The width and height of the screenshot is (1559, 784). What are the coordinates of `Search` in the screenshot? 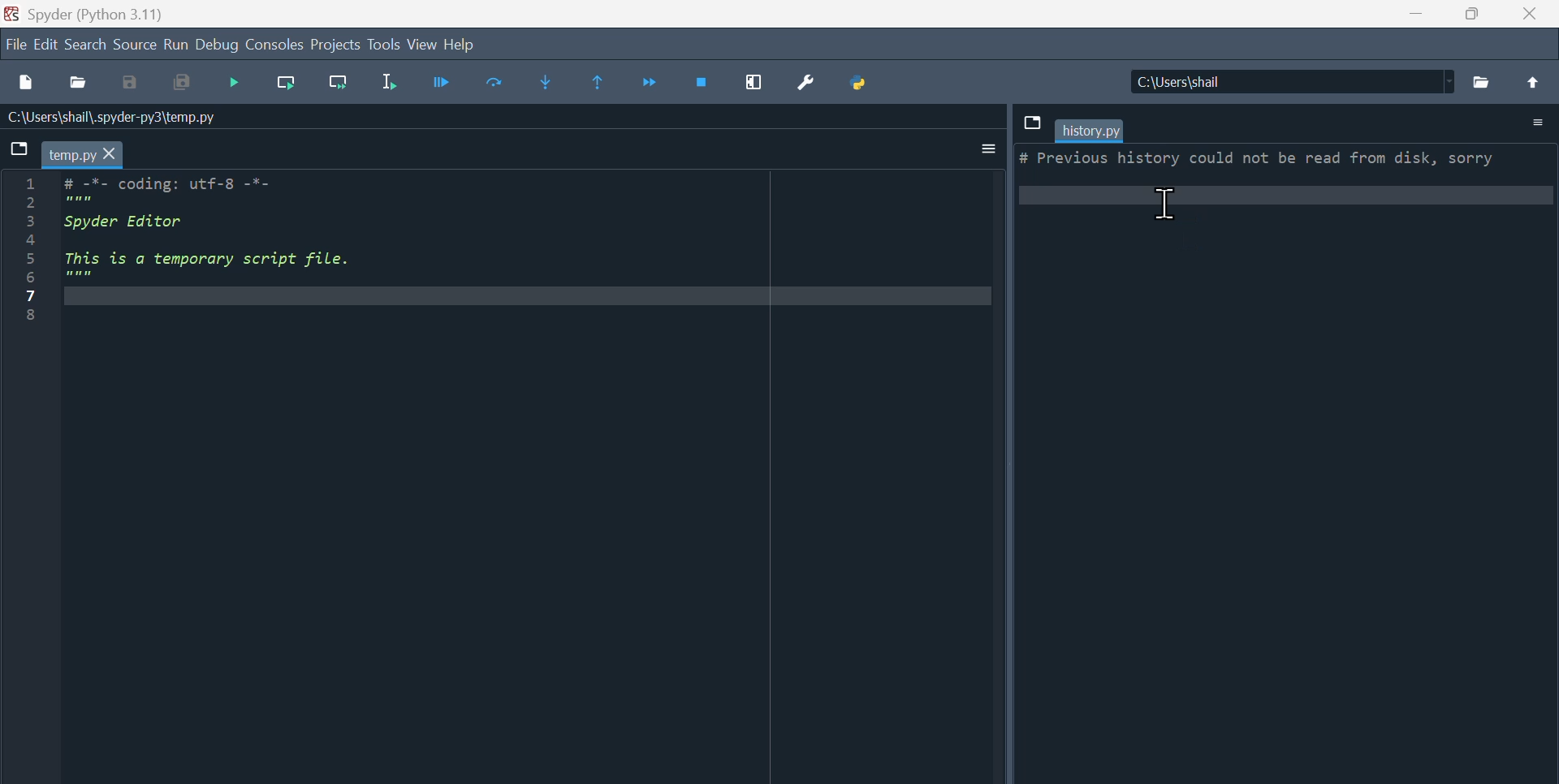 It's located at (84, 44).